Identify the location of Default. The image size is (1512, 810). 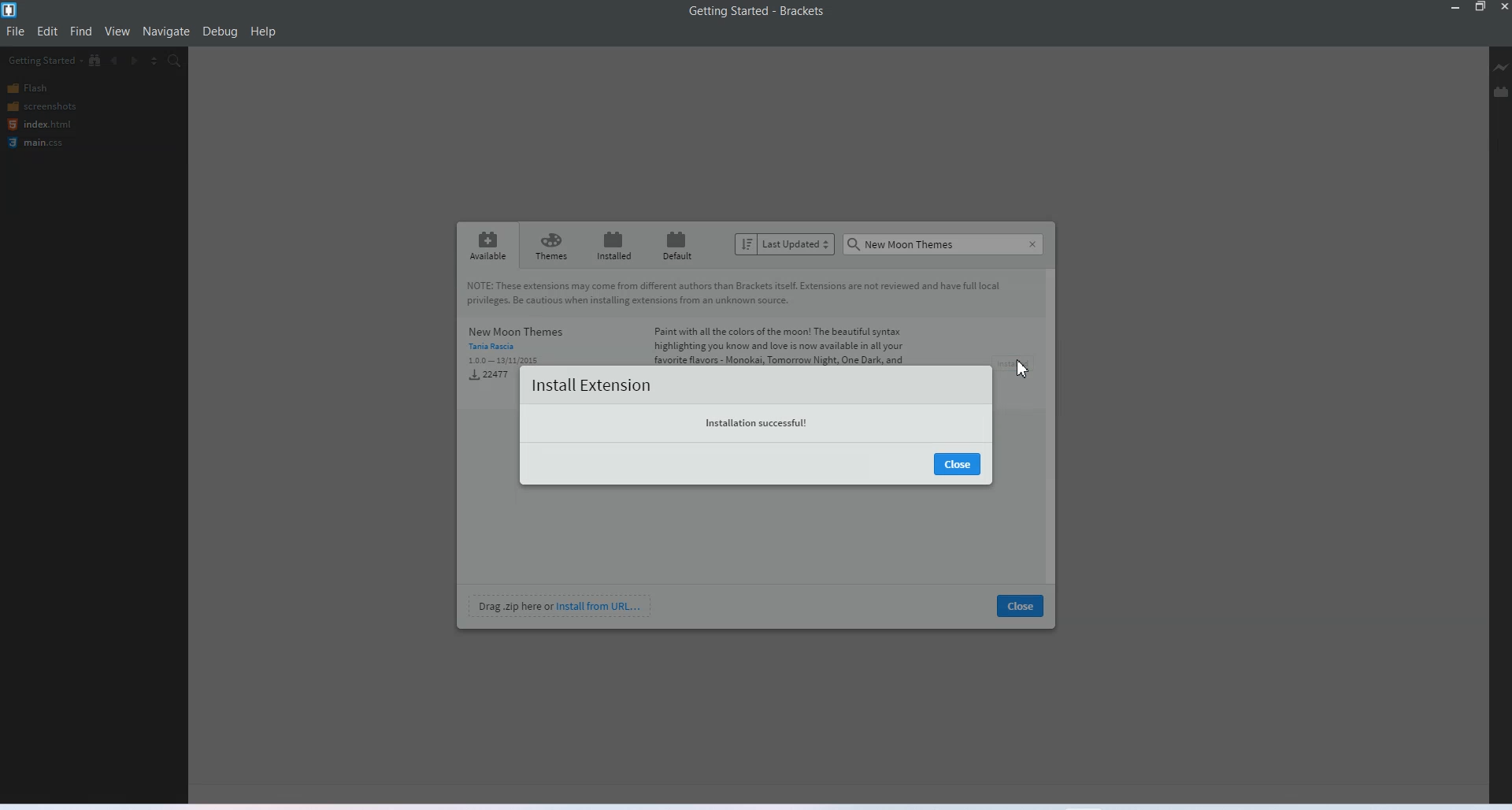
(677, 245).